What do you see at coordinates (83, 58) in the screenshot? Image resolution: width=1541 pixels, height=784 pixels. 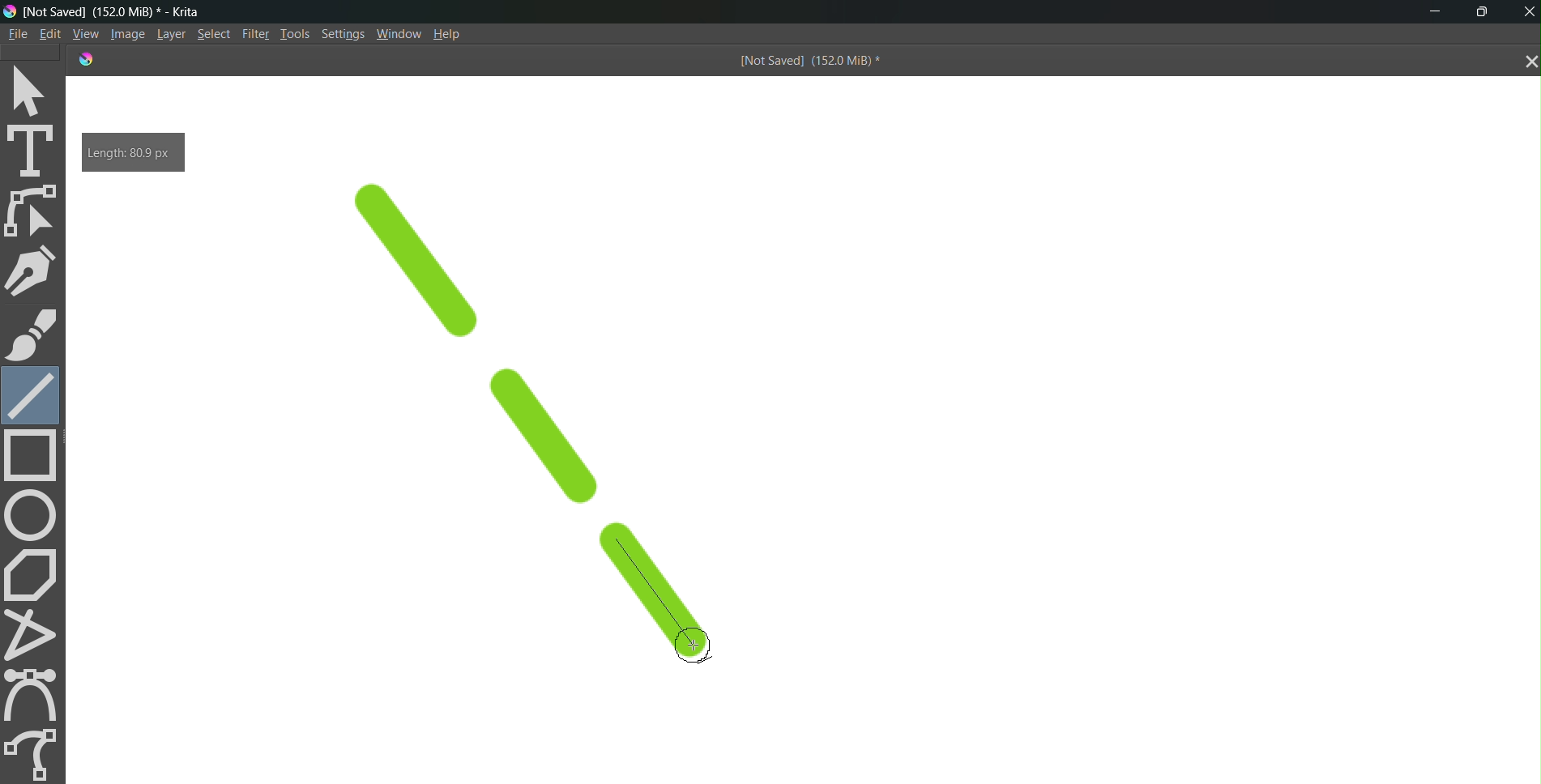 I see `logo` at bounding box center [83, 58].